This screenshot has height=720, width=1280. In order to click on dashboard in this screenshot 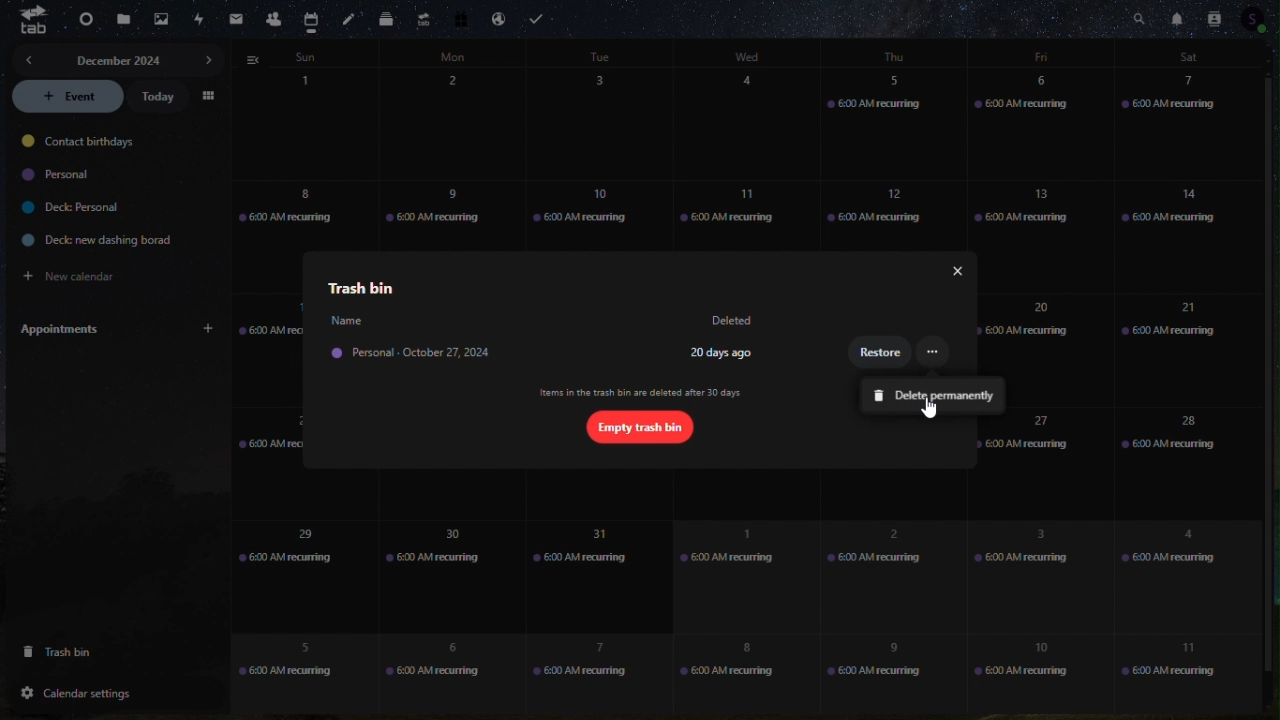, I will do `click(79, 20)`.